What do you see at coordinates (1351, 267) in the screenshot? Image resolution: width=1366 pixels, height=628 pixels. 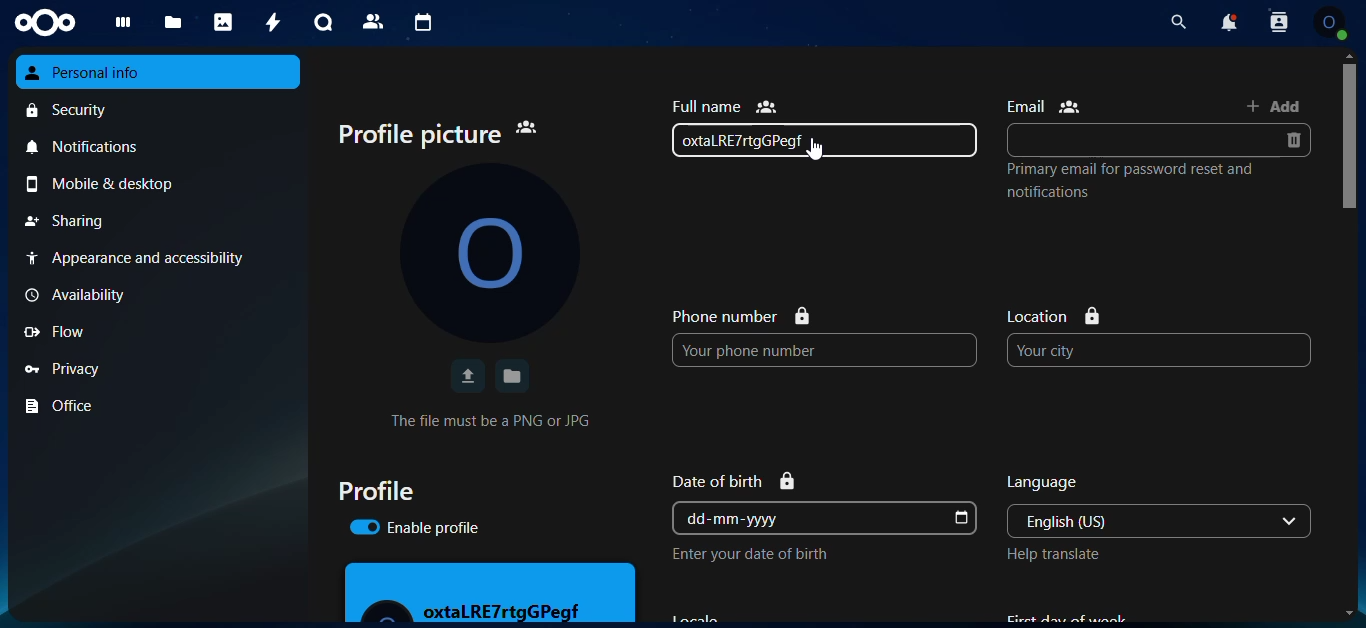 I see `scroll bar` at bounding box center [1351, 267].